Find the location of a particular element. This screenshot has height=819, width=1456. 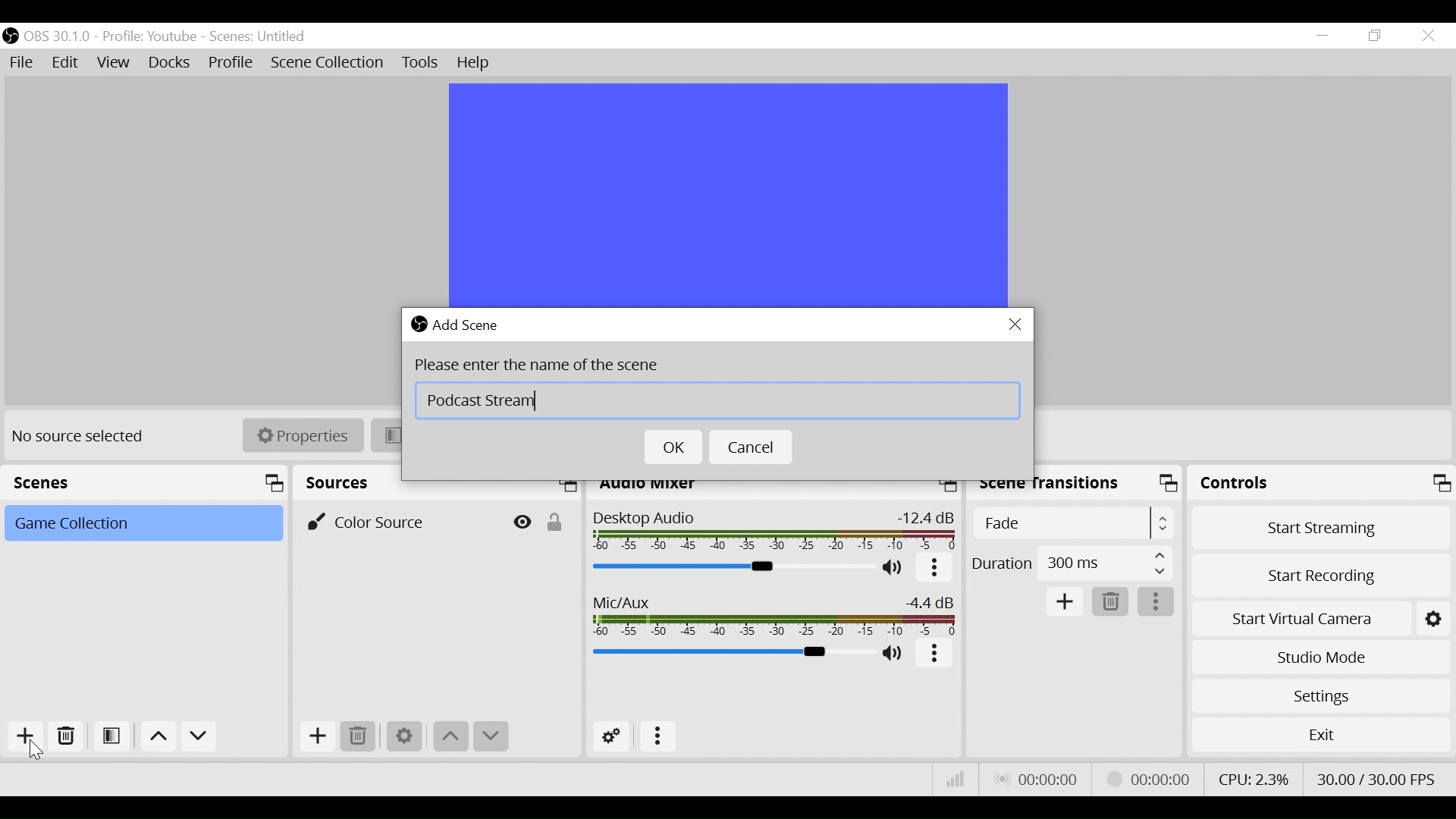

Open Scene Filter is located at coordinates (113, 738).